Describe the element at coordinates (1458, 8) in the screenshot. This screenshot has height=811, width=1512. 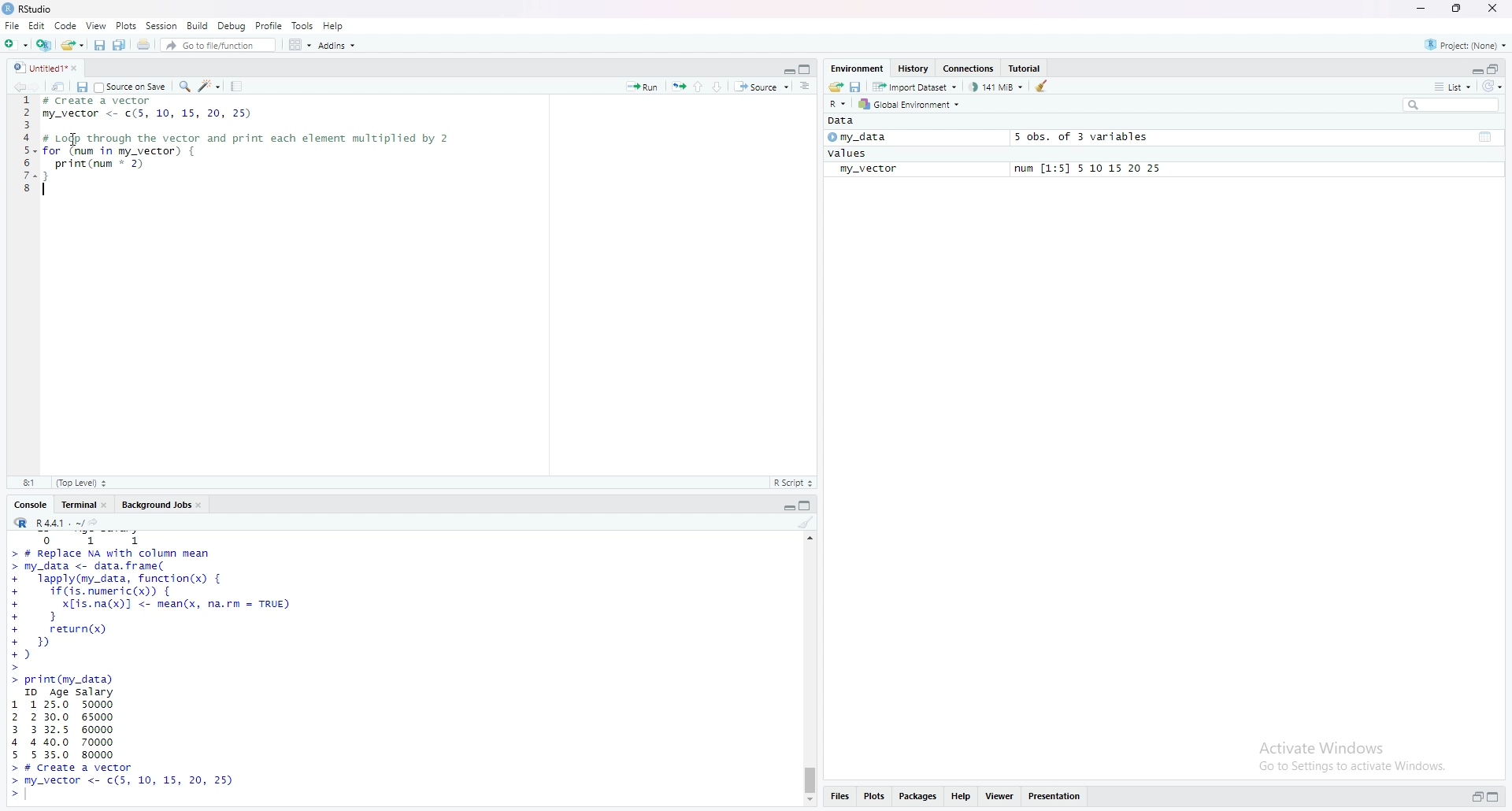
I see `maximize` at that location.